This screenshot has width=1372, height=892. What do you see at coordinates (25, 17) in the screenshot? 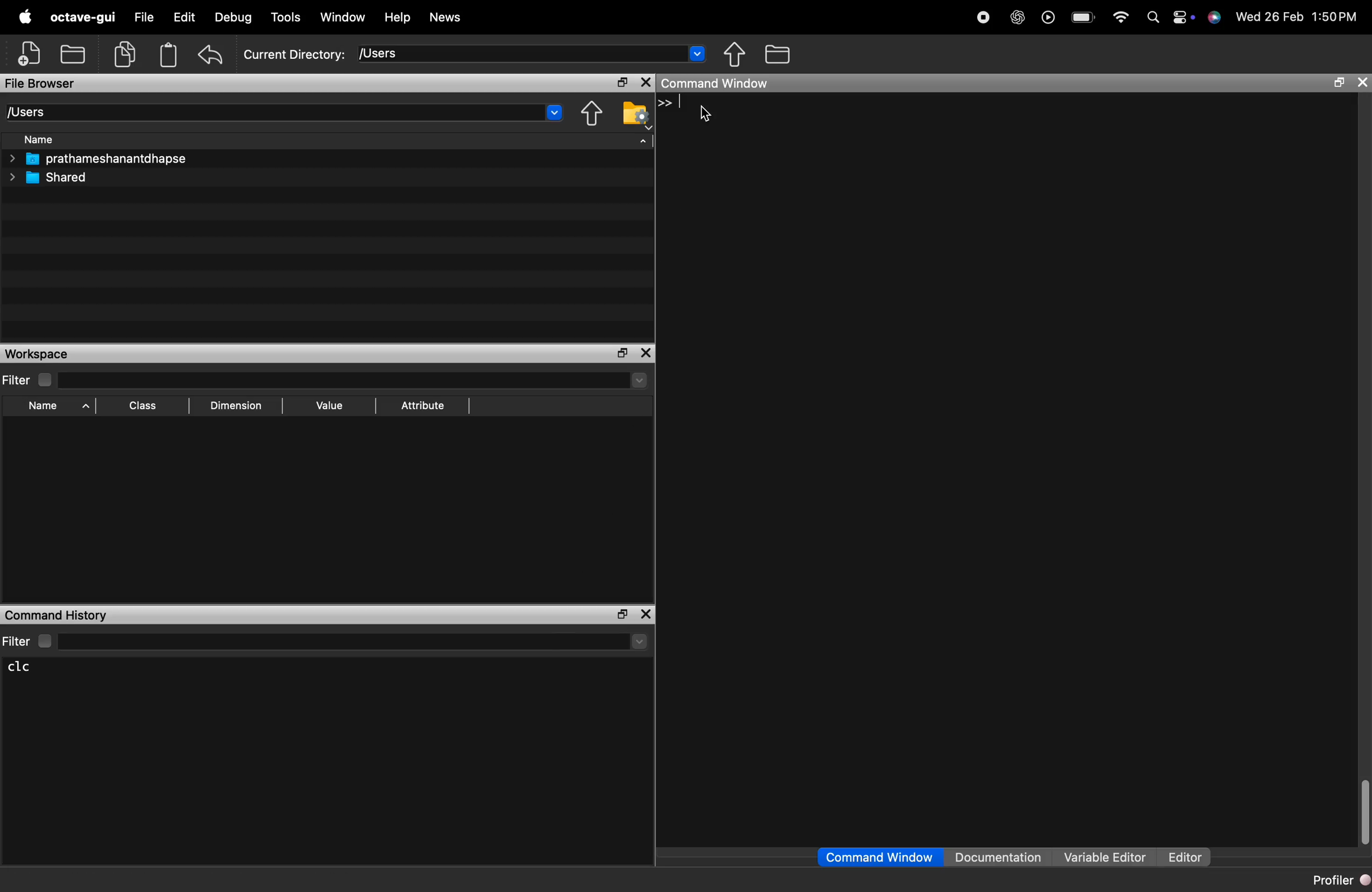
I see `logo` at bounding box center [25, 17].